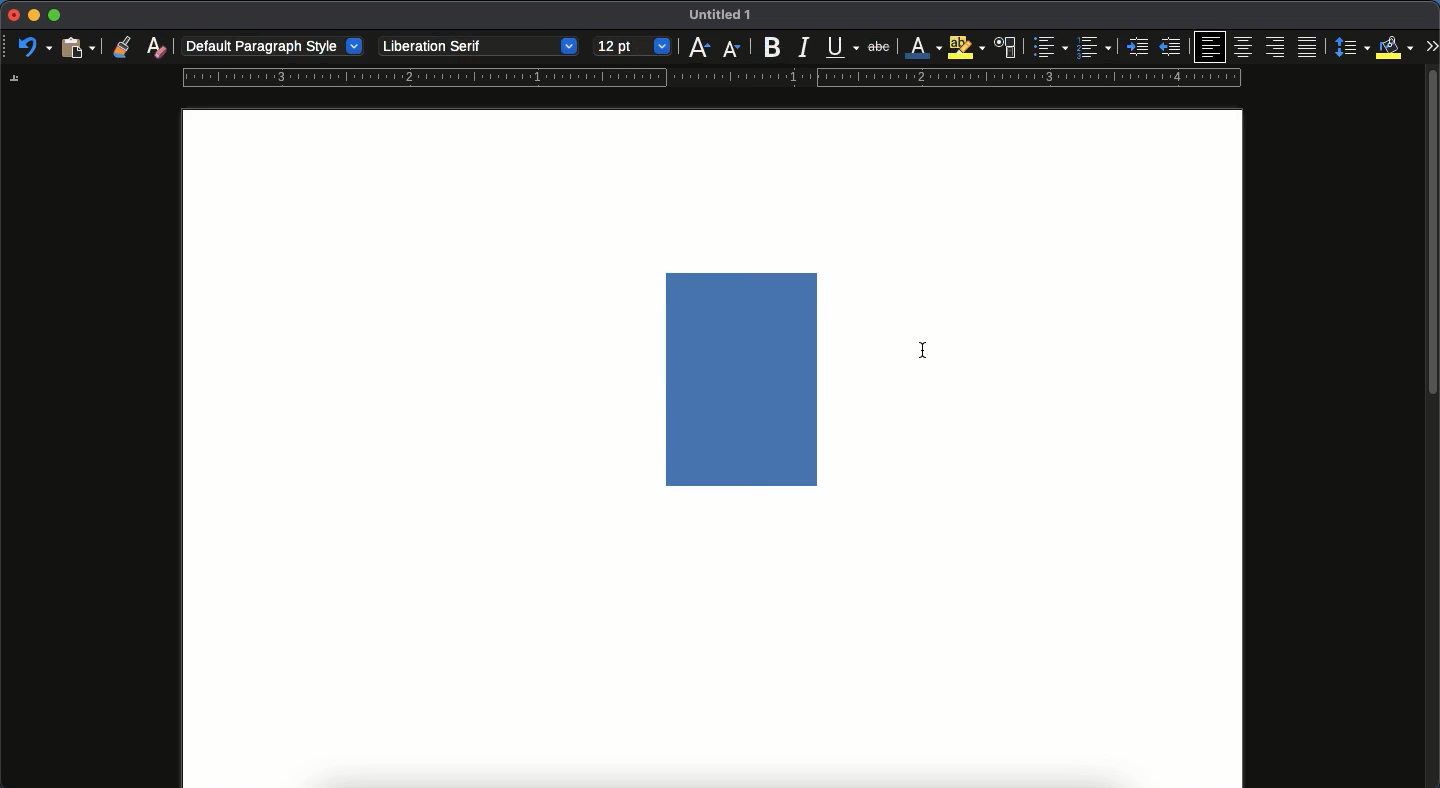 Image resolution: width=1440 pixels, height=788 pixels. What do you see at coordinates (1004, 48) in the screenshot?
I see `character` at bounding box center [1004, 48].